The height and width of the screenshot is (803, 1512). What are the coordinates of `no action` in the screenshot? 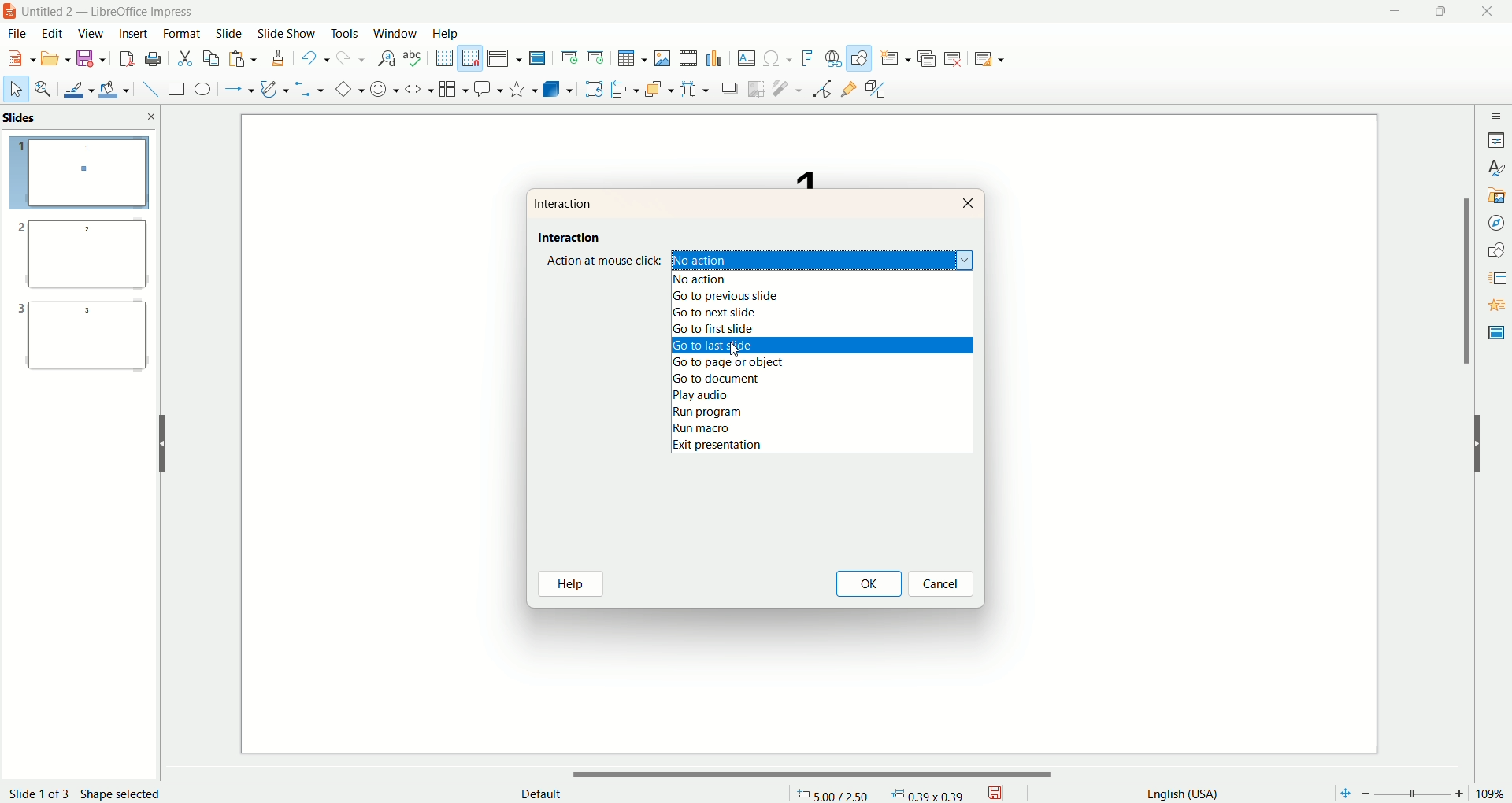 It's located at (807, 259).